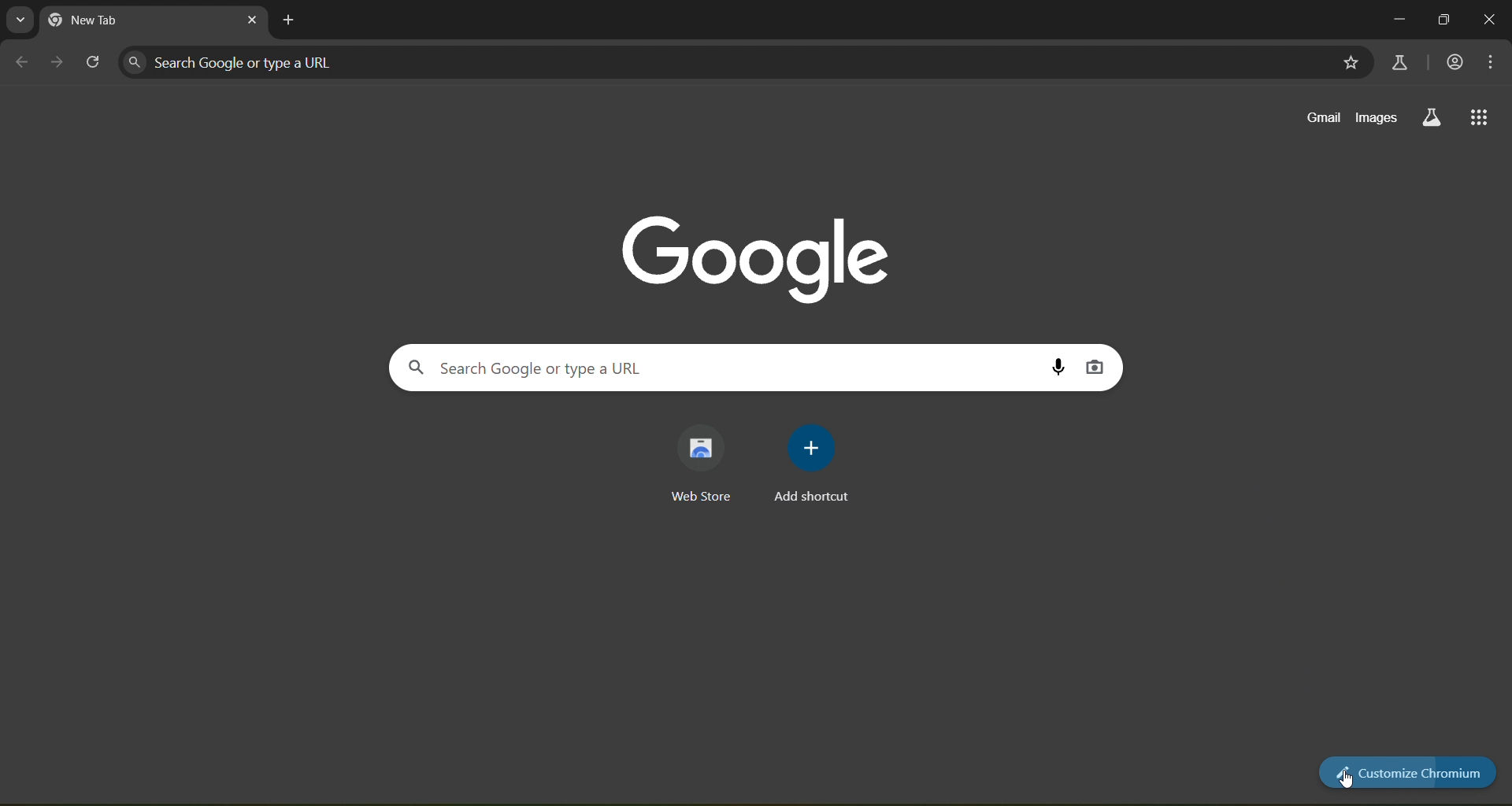  I want to click on image search, so click(1093, 365).